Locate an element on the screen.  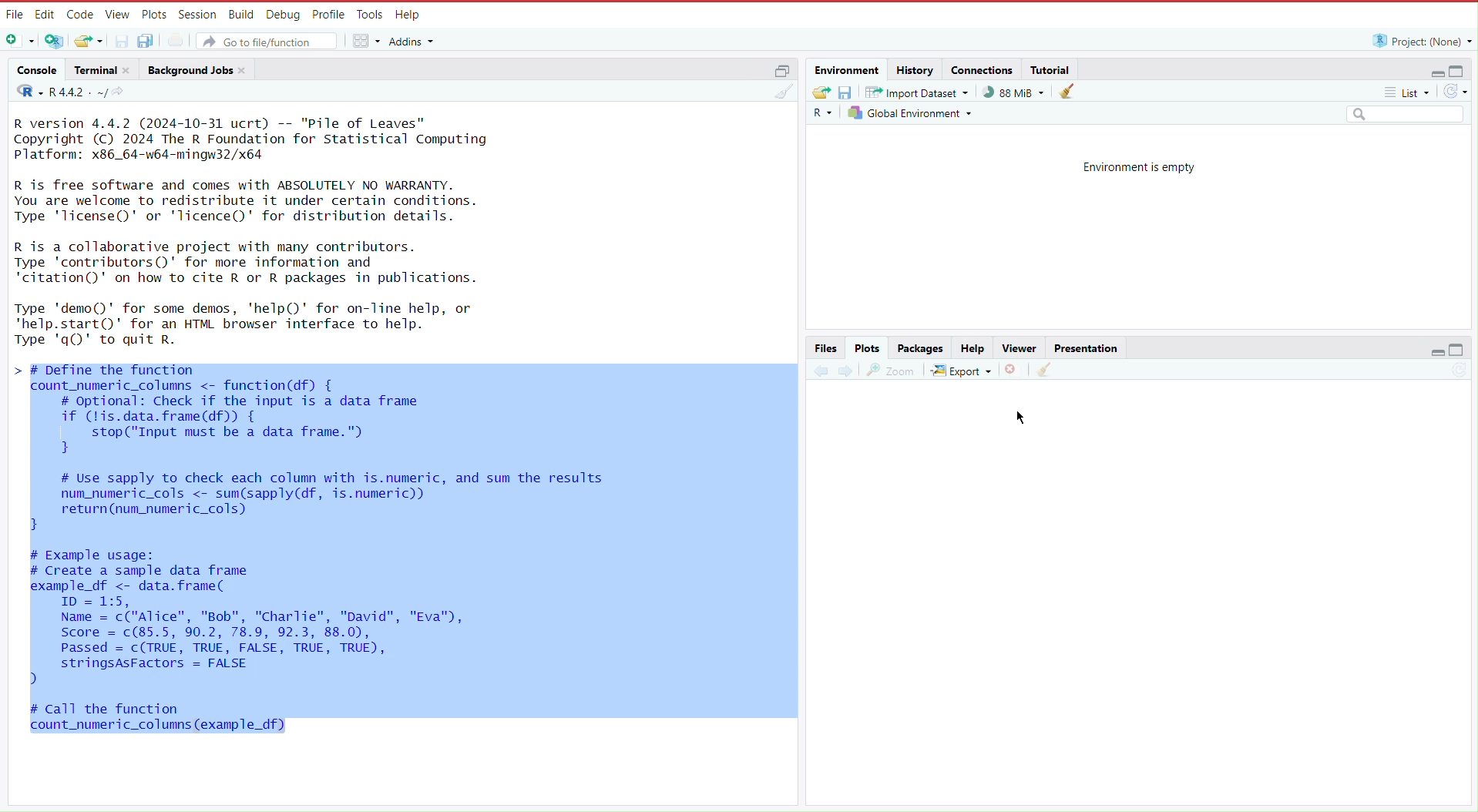
Background Jobs is located at coordinates (198, 69).